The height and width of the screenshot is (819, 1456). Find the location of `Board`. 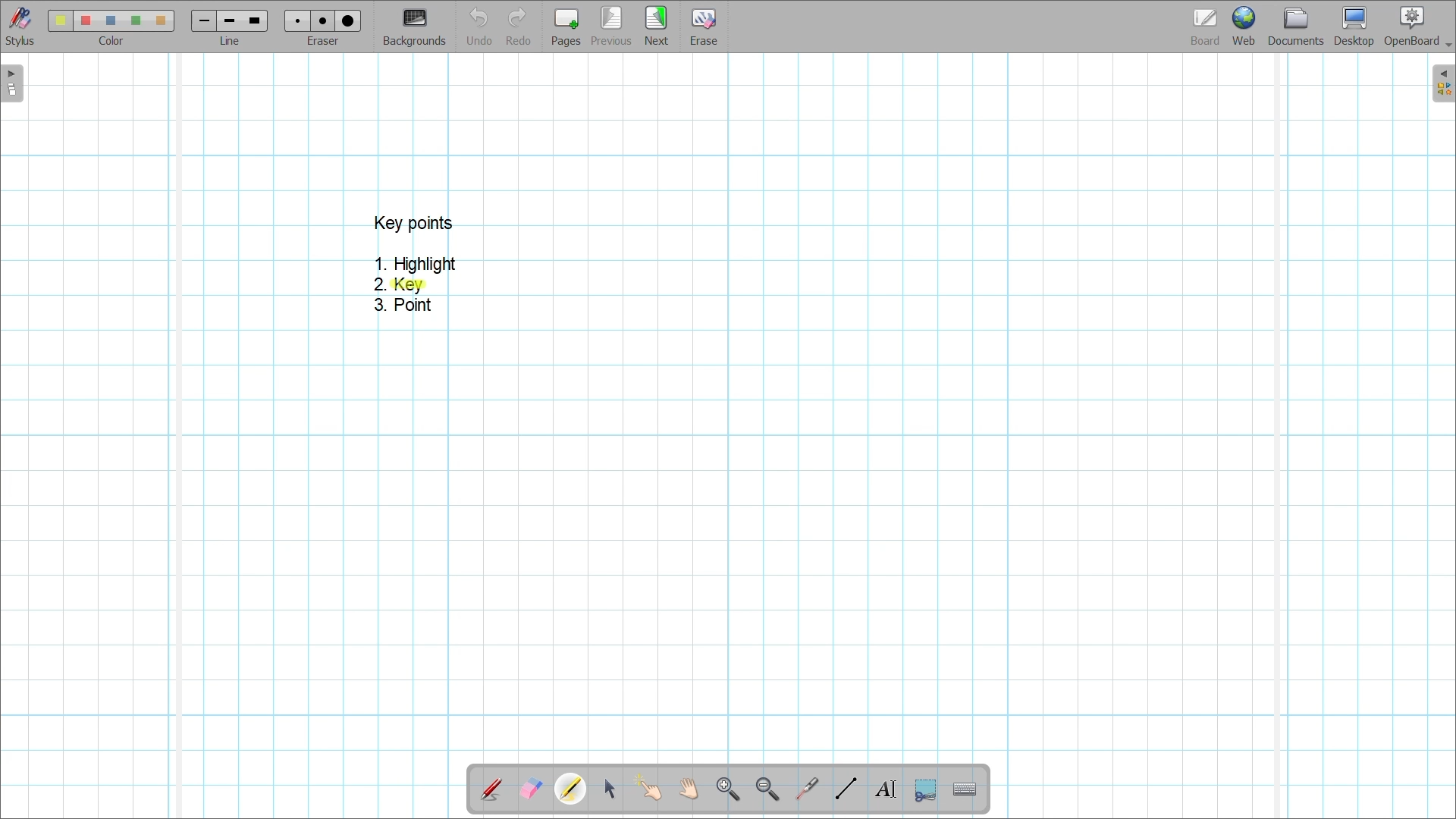

Board is located at coordinates (1206, 27).